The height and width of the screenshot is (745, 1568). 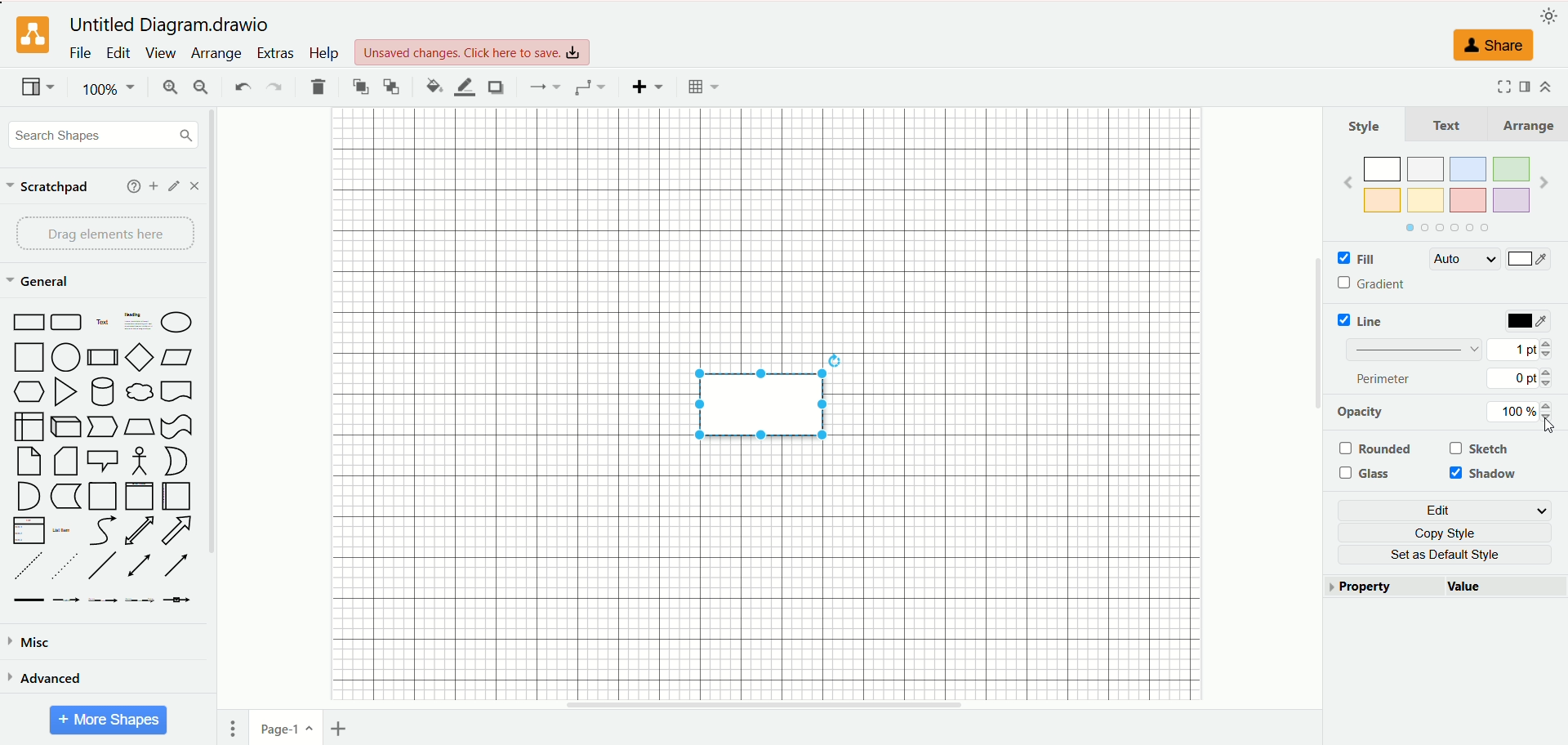 I want to click on close, so click(x=194, y=186).